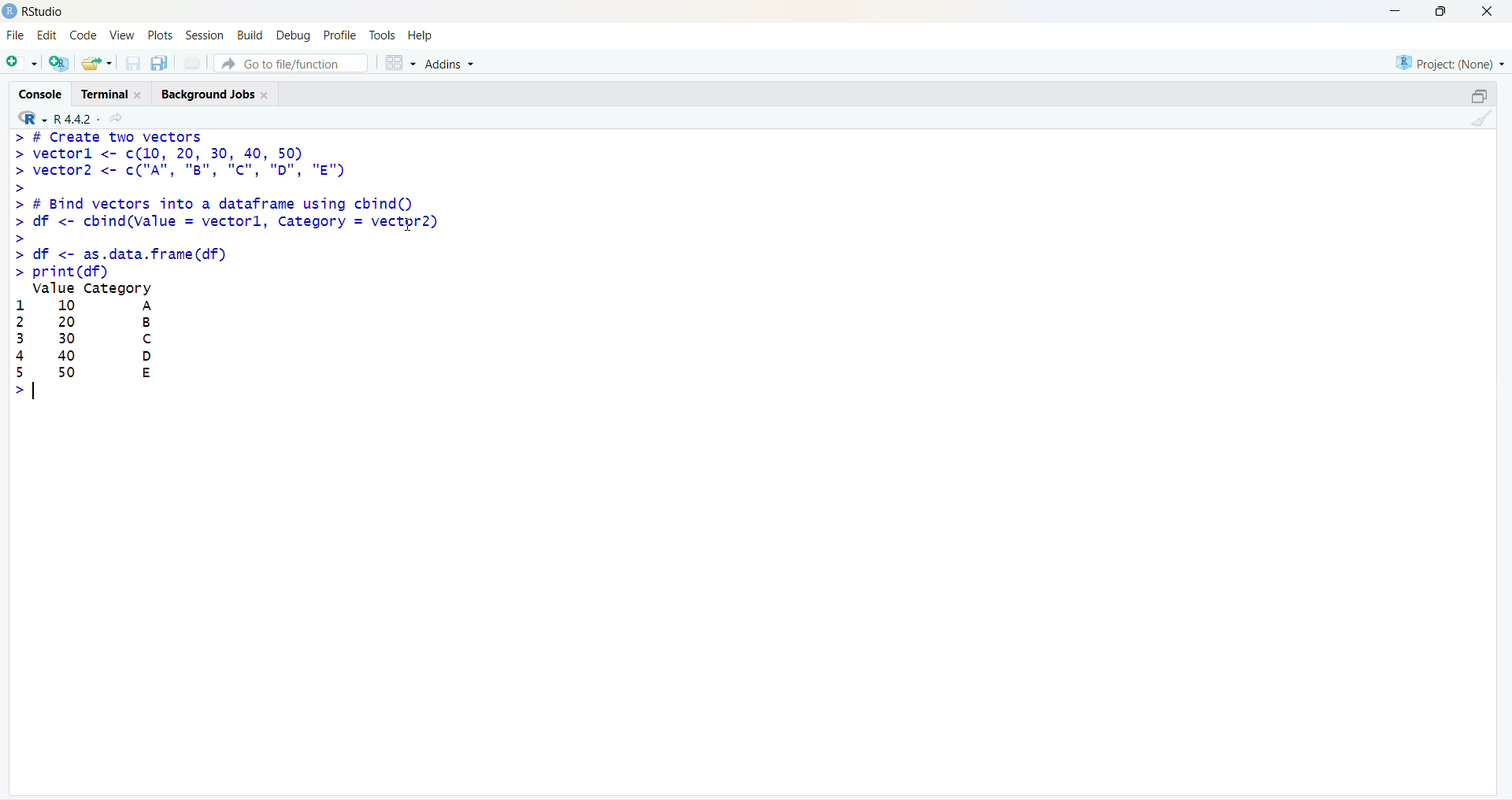 The image size is (1512, 800). Describe the element at coordinates (53, 119) in the screenshot. I see ` R 4.4.2` at that location.